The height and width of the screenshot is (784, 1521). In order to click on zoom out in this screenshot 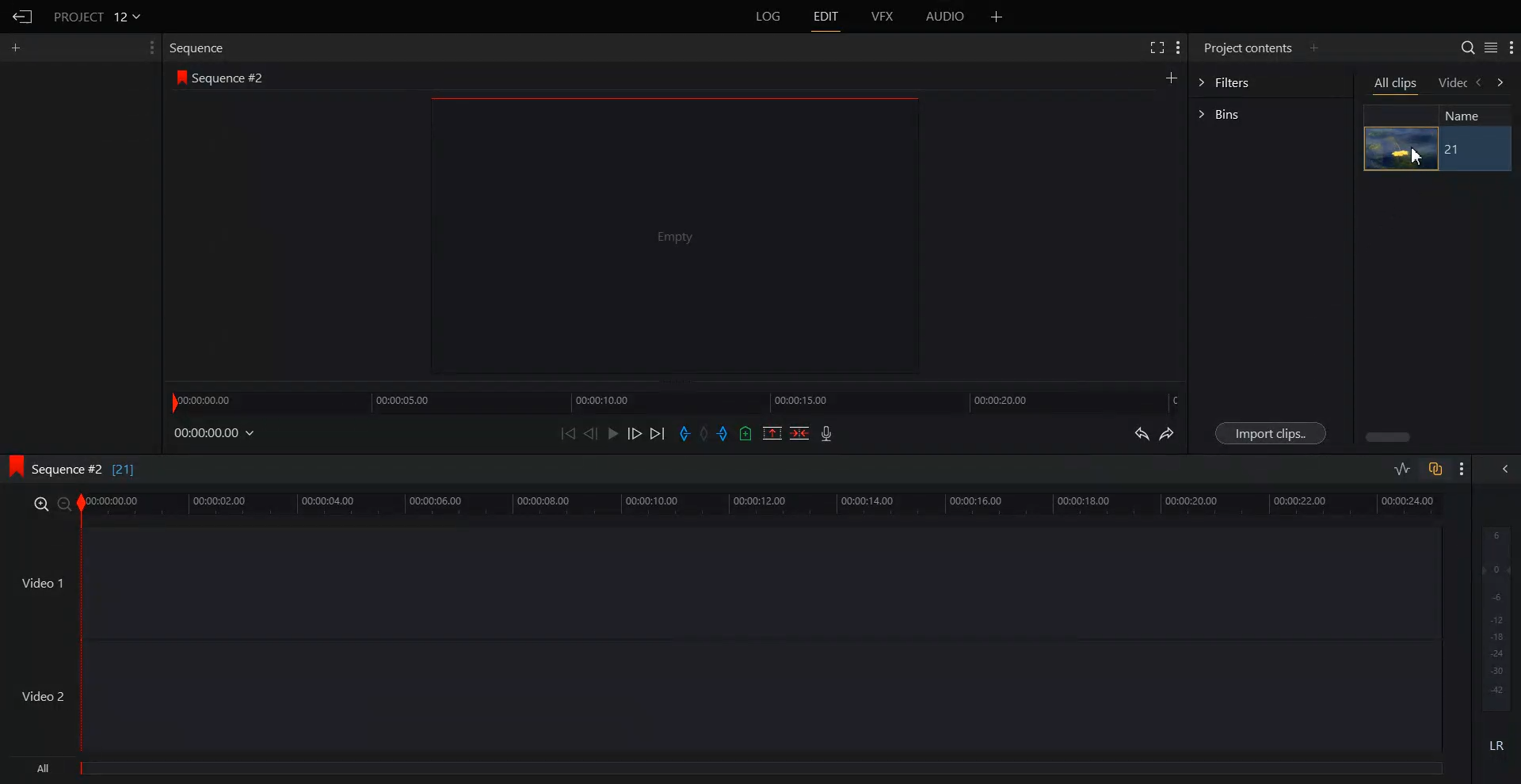, I will do `click(64, 504)`.